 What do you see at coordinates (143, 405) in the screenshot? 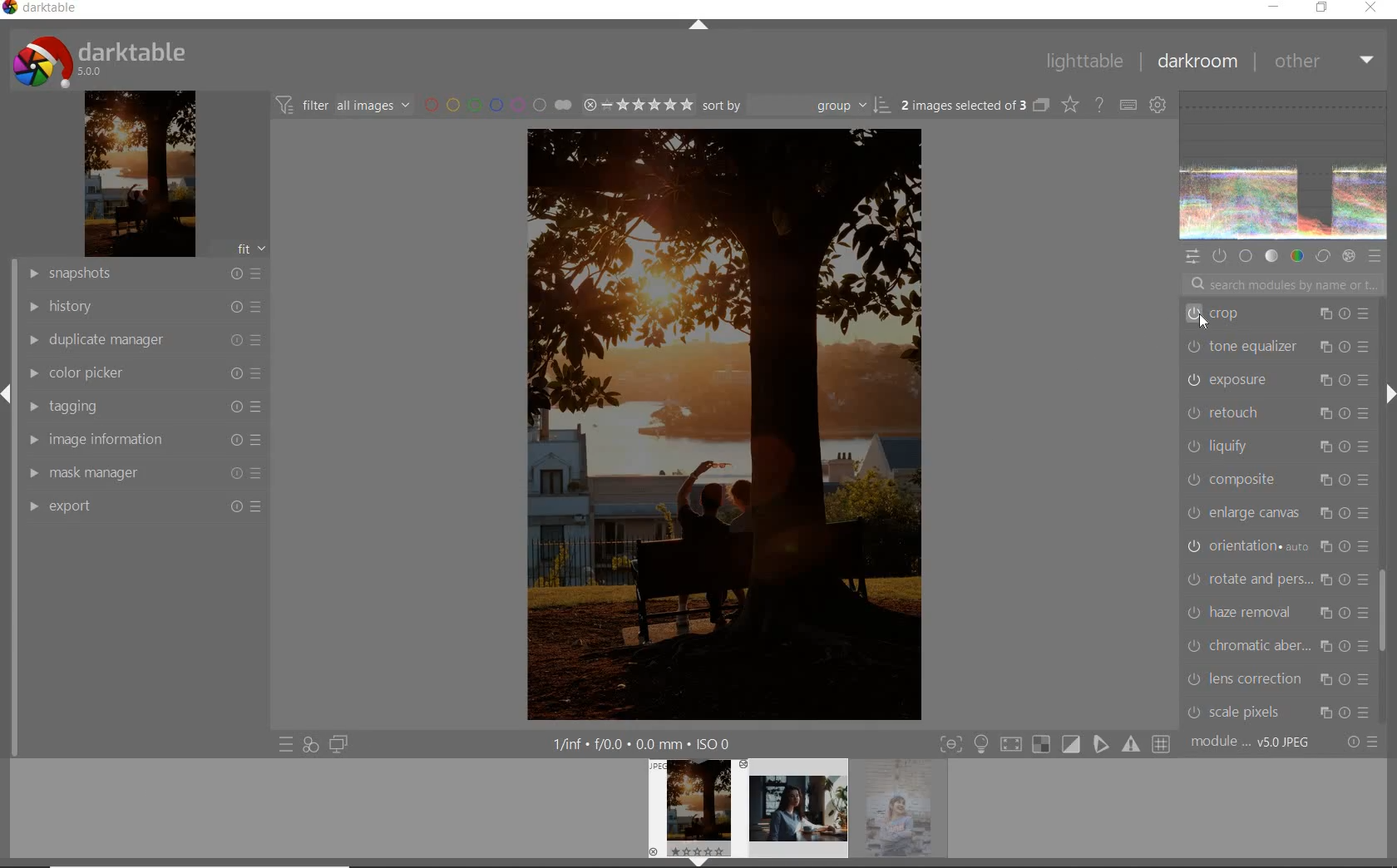
I see `tagging` at bounding box center [143, 405].